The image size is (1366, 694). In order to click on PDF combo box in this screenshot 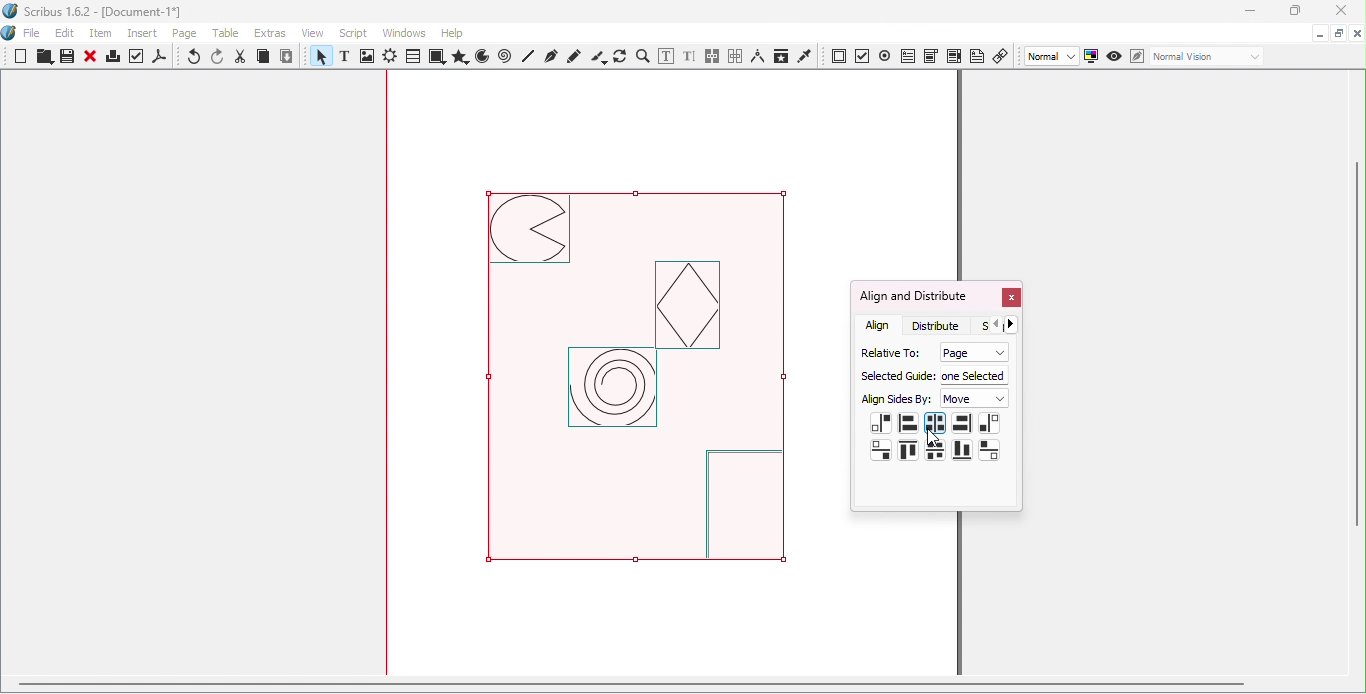, I will do `click(930, 56)`.